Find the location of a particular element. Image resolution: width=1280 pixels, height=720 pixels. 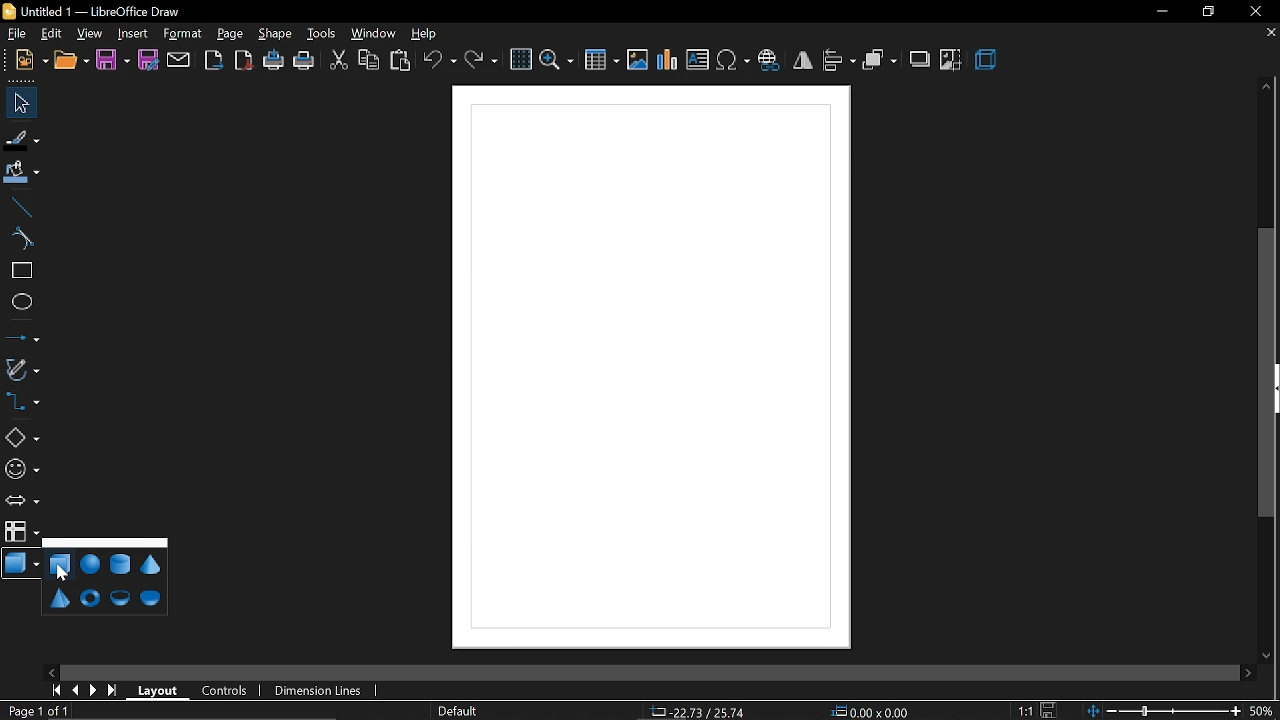

symbol shapes is located at coordinates (22, 469).